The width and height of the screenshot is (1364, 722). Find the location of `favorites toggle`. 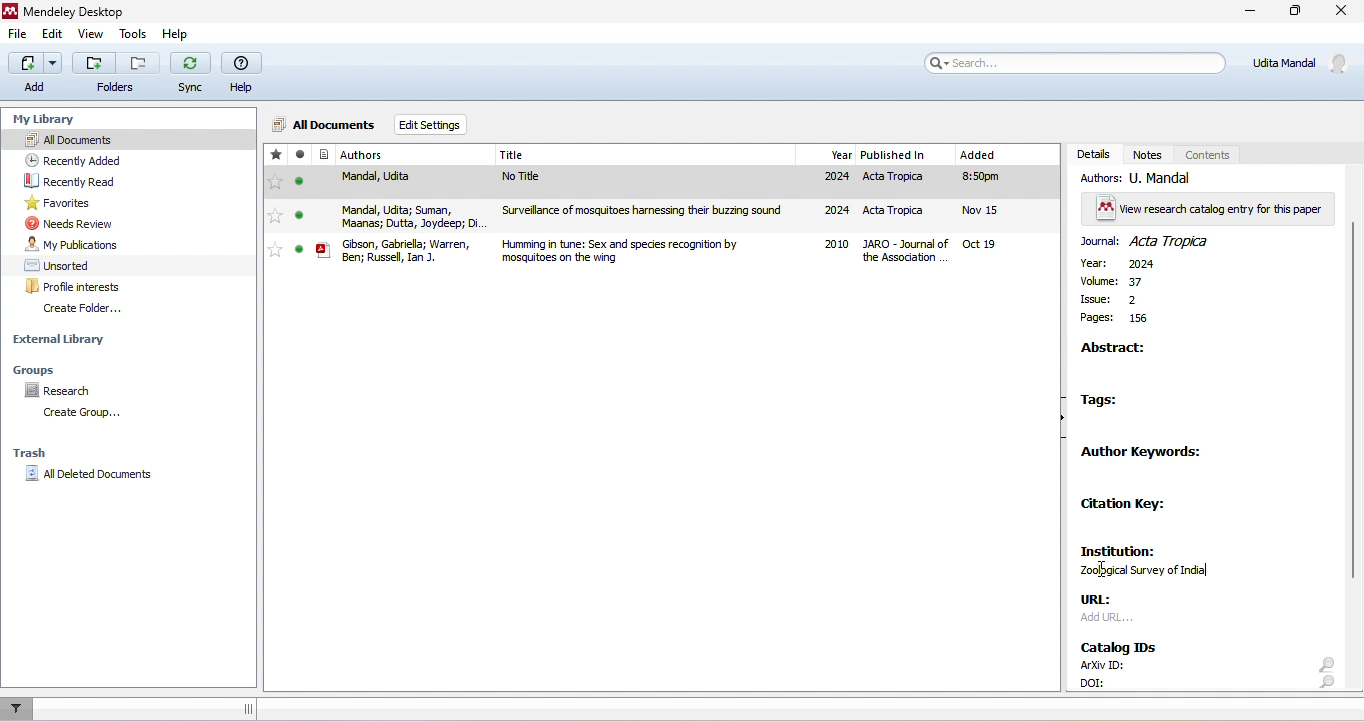

favorites toggle is located at coordinates (274, 217).